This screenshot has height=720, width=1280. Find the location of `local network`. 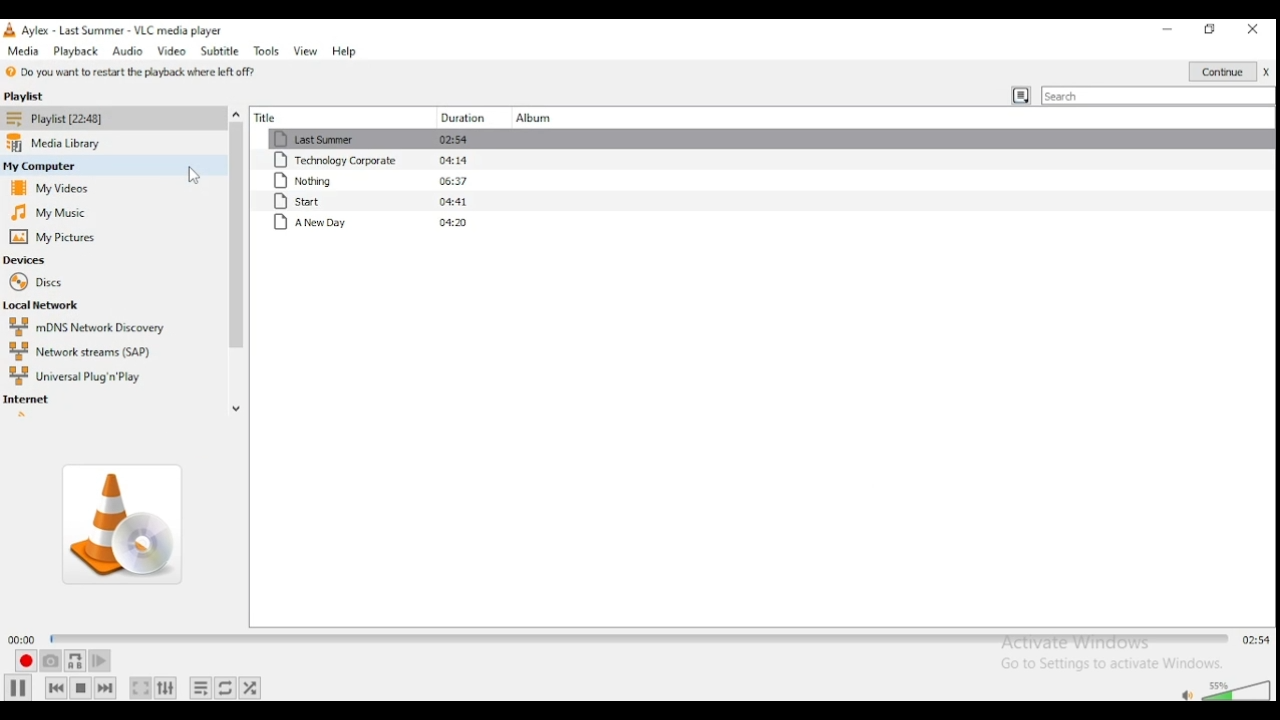

local network is located at coordinates (50, 304).